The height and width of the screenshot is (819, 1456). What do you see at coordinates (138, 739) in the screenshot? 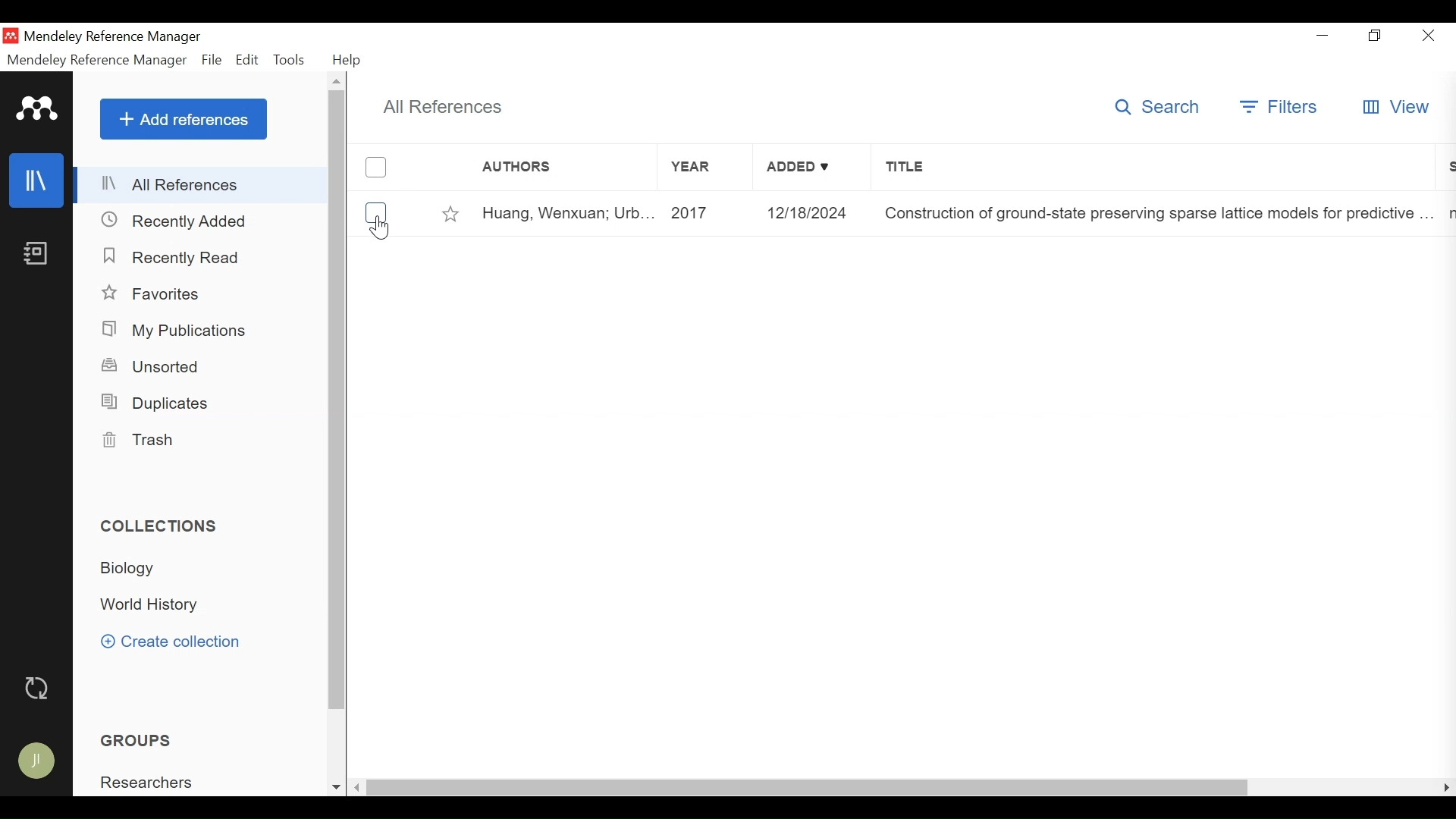
I see `Groups` at bounding box center [138, 739].